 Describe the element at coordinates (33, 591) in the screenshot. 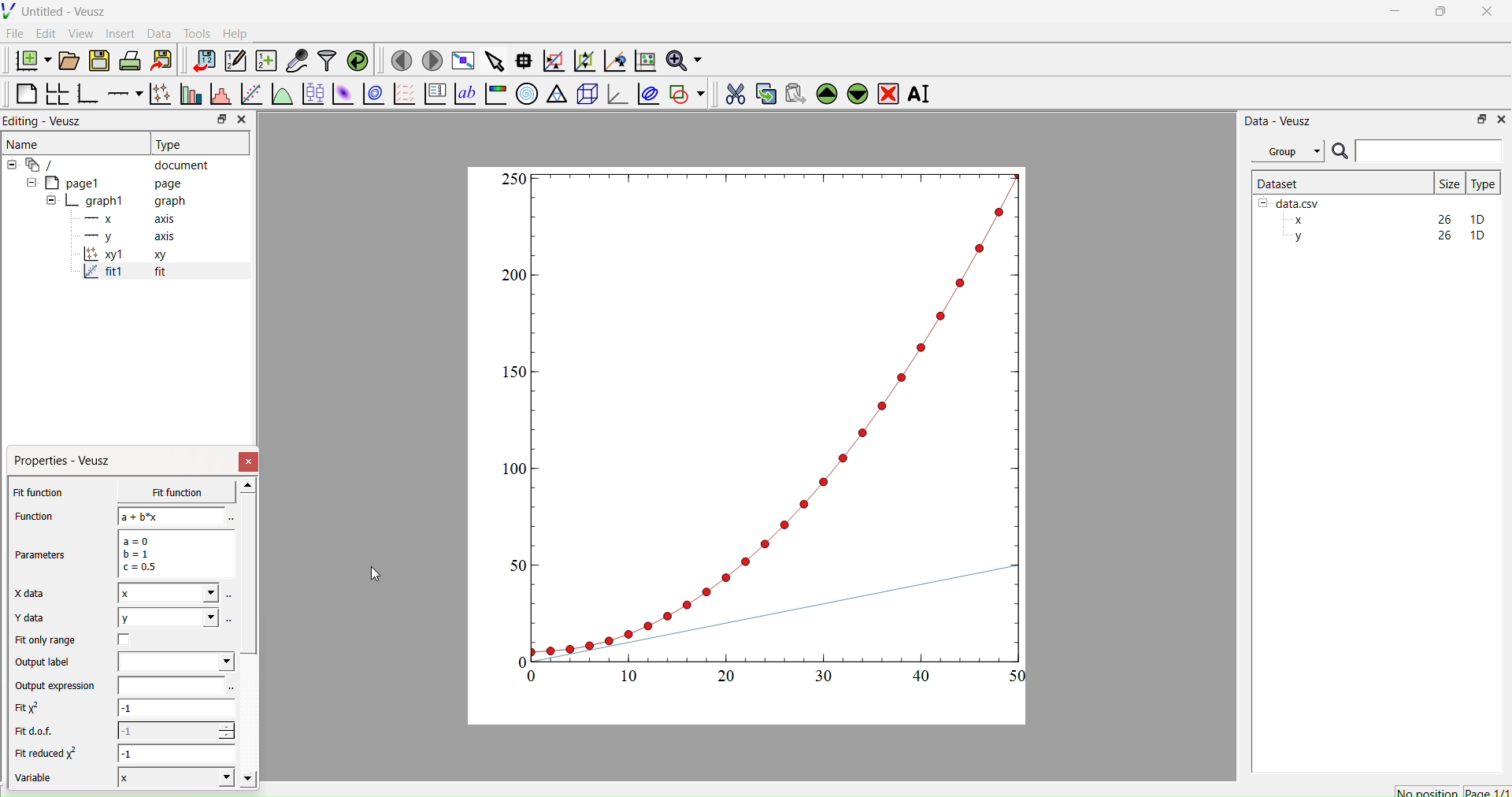

I see `X data` at that location.